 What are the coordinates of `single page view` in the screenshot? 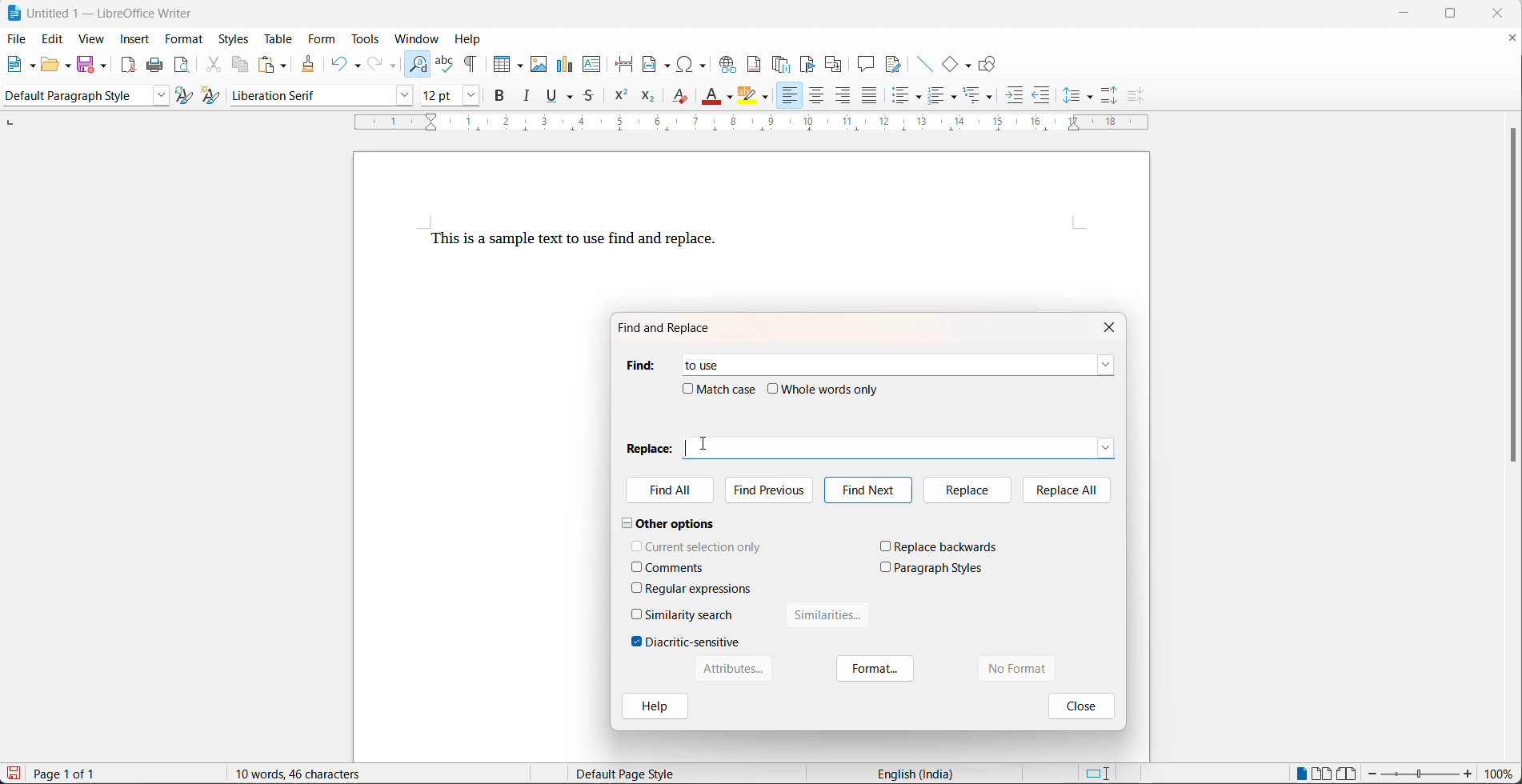 It's located at (1302, 772).